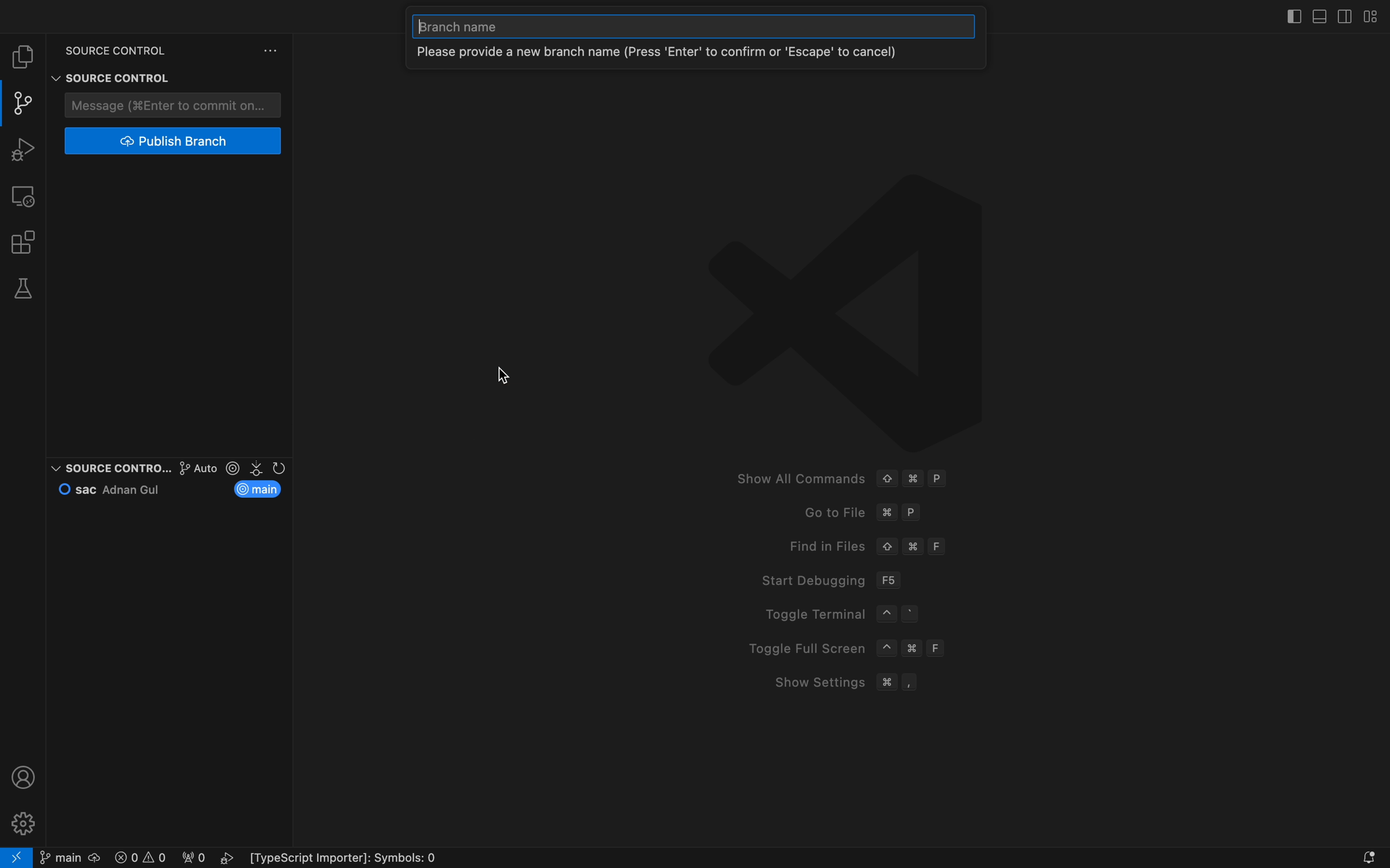  Describe the element at coordinates (257, 76) in the screenshot. I see `restart` at that location.